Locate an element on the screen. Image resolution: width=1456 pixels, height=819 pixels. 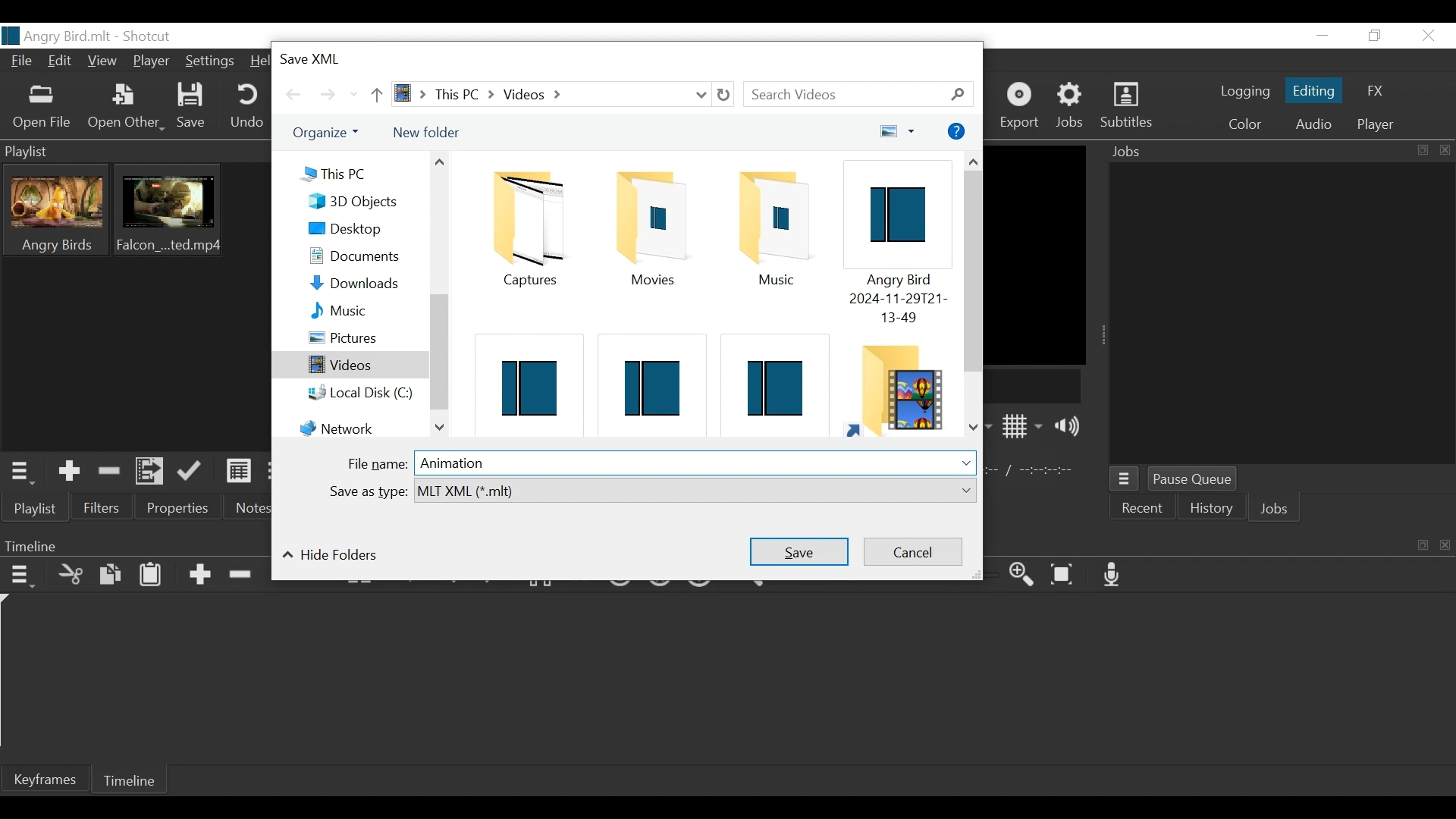
Zoom timeline in is located at coordinates (1025, 576).